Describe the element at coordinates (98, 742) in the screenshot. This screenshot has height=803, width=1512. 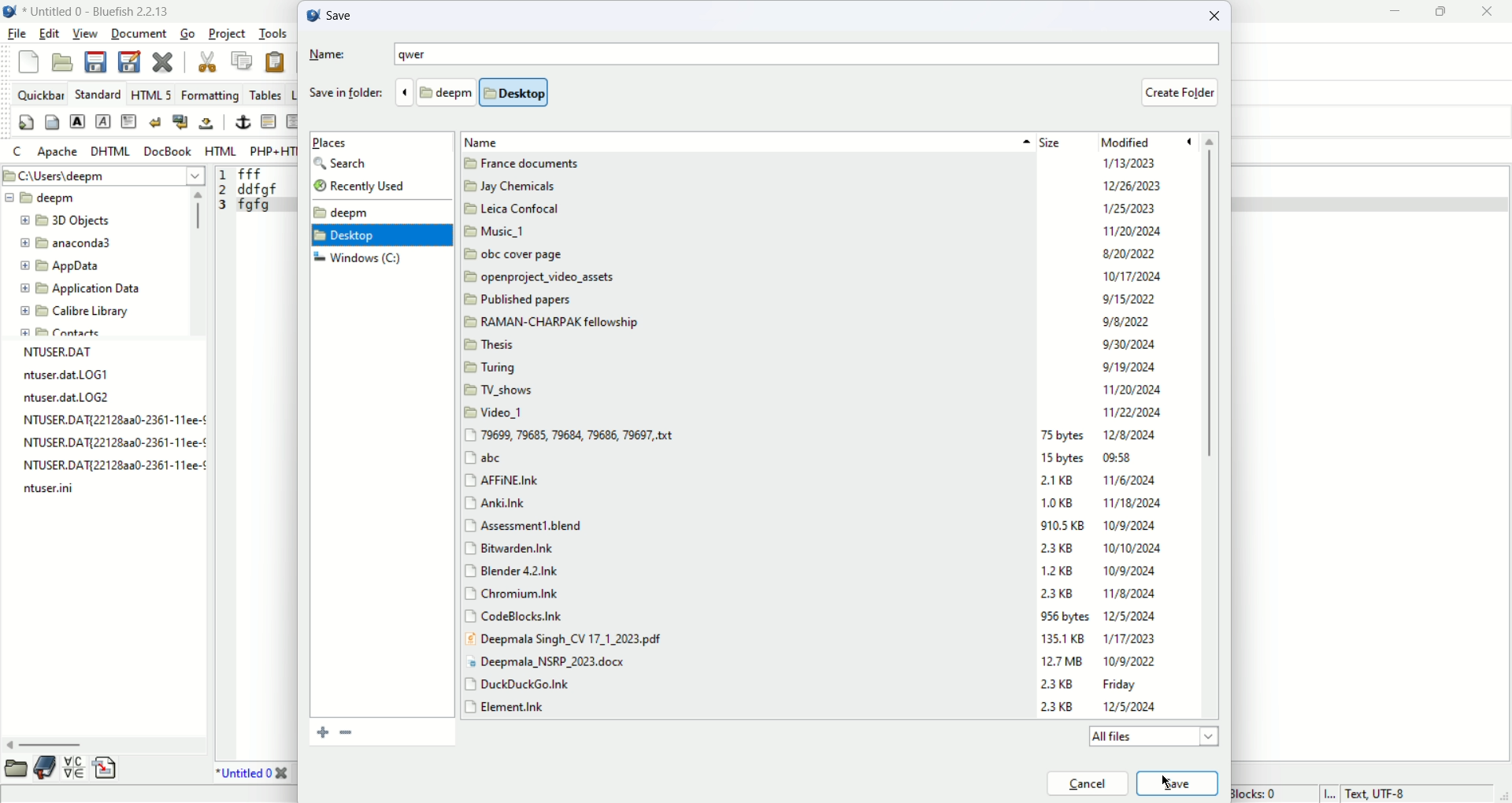
I see `horizontal scroll bar` at that location.